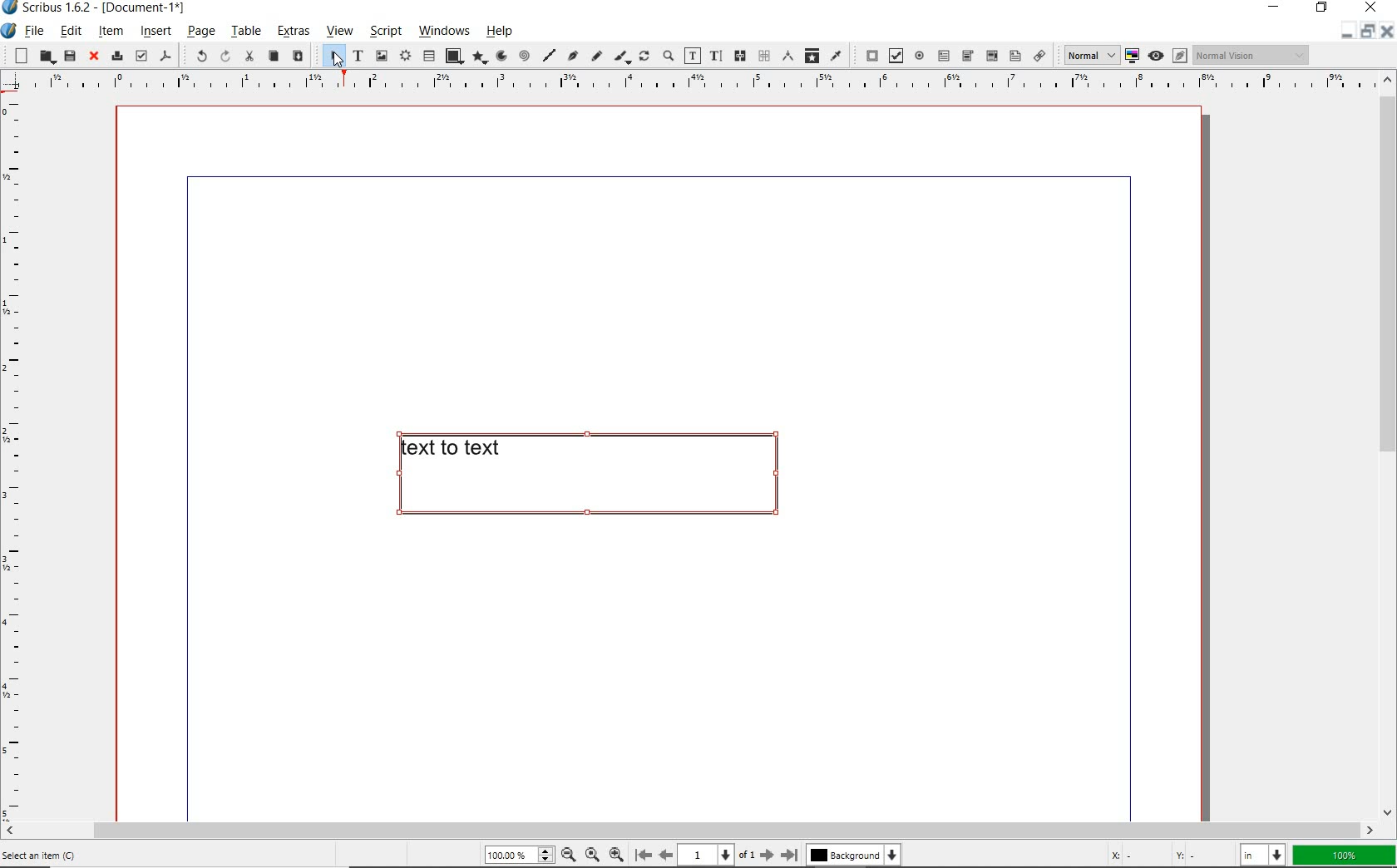 This screenshot has width=1397, height=868. Describe the element at coordinates (116, 55) in the screenshot. I see `print` at that location.